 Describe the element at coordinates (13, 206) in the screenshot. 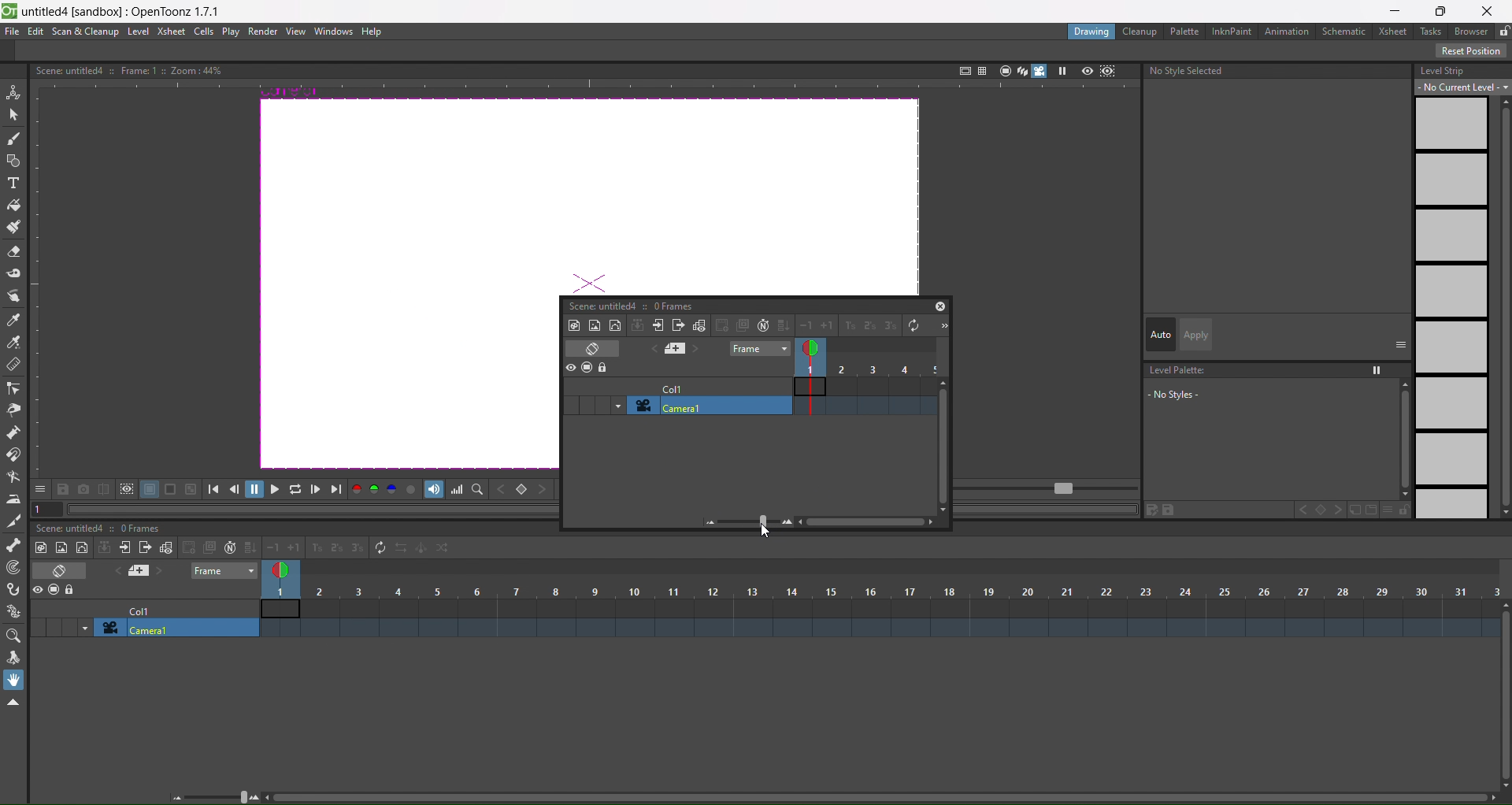

I see `fill tool` at that location.